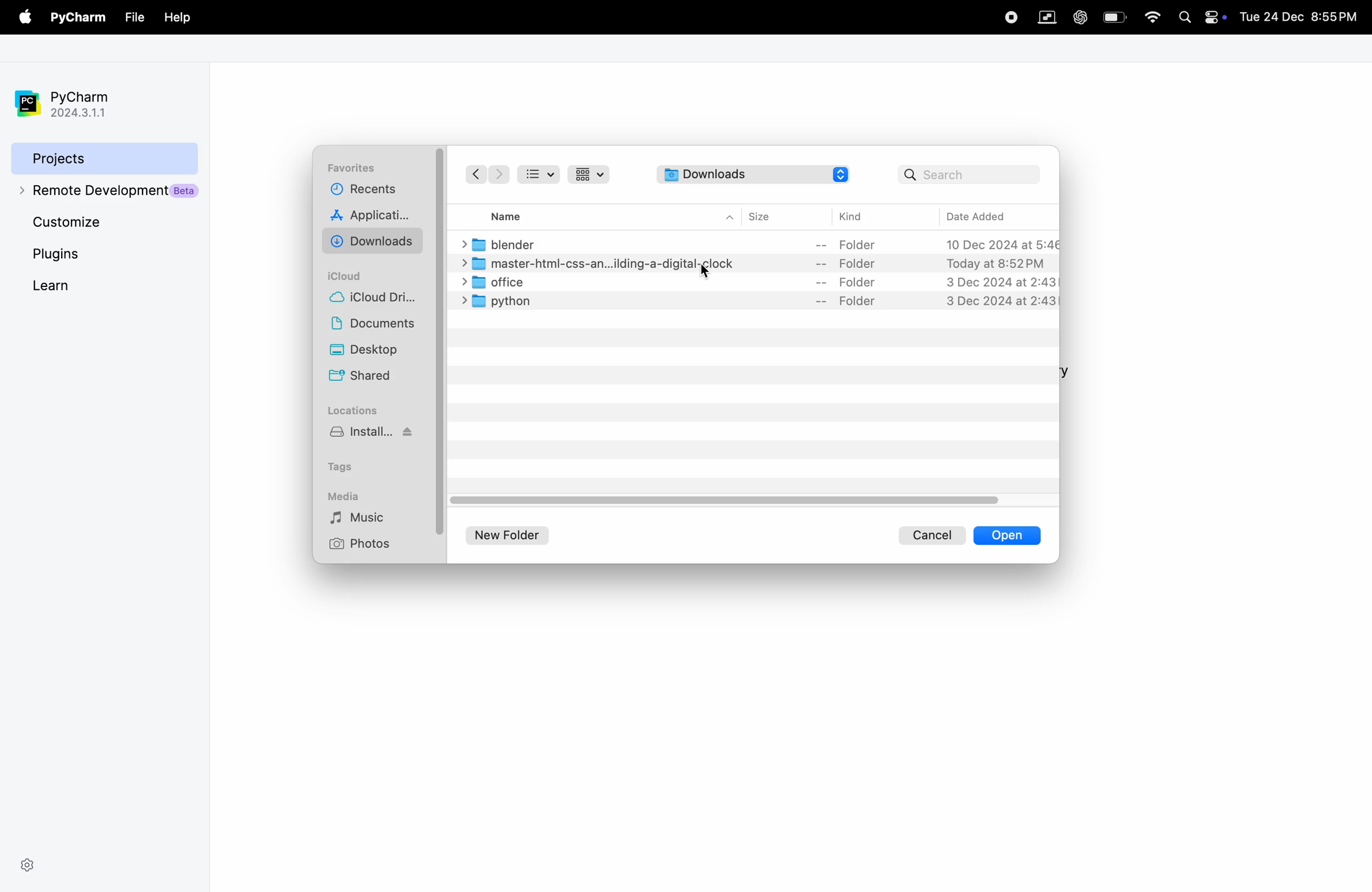  I want to click on downlaods, so click(376, 241).